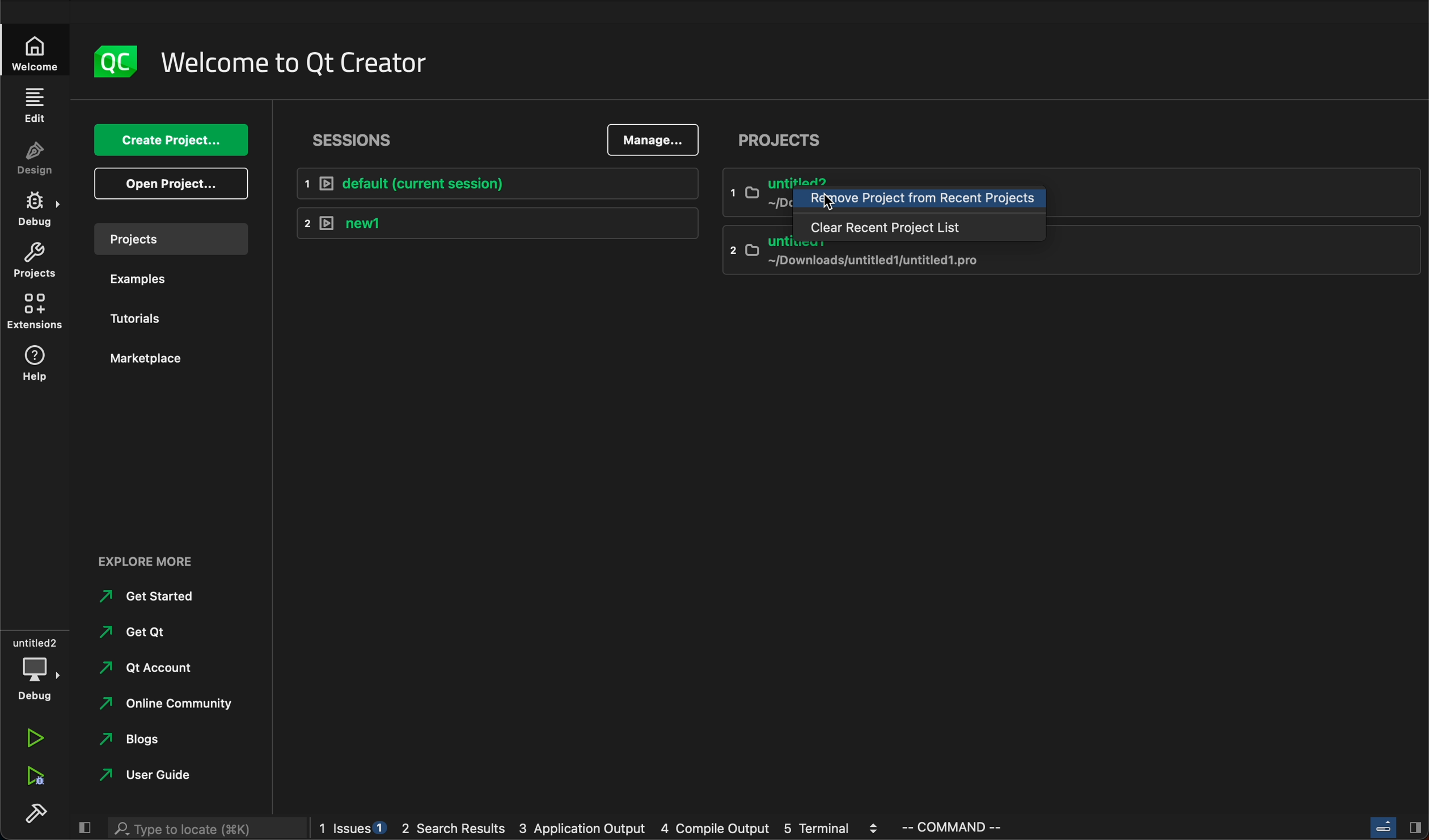  What do you see at coordinates (755, 192) in the screenshot?
I see `untitled2` at bounding box center [755, 192].